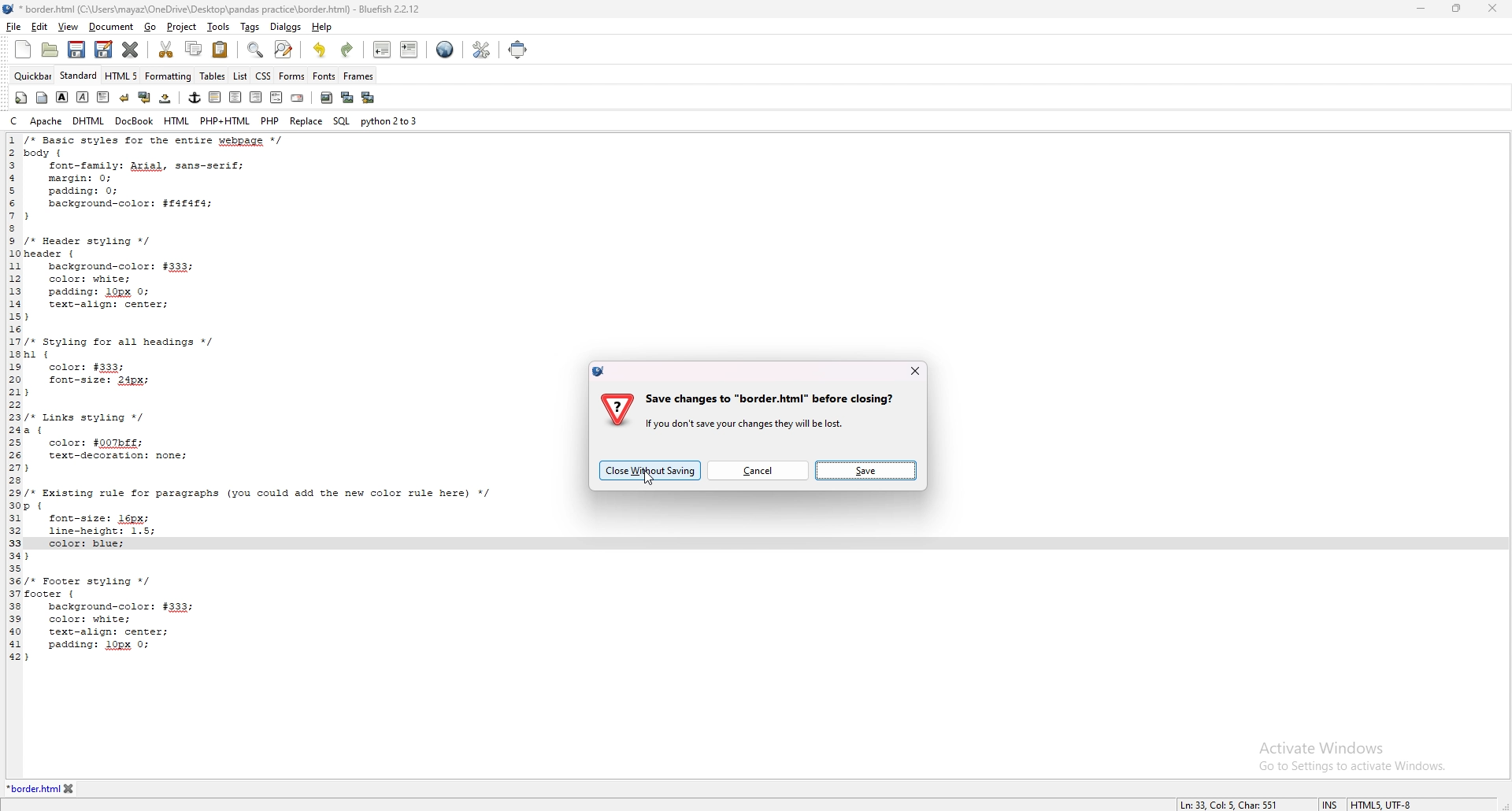 The width and height of the screenshot is (1512, 811). I want to click on c, so click(14, 120).